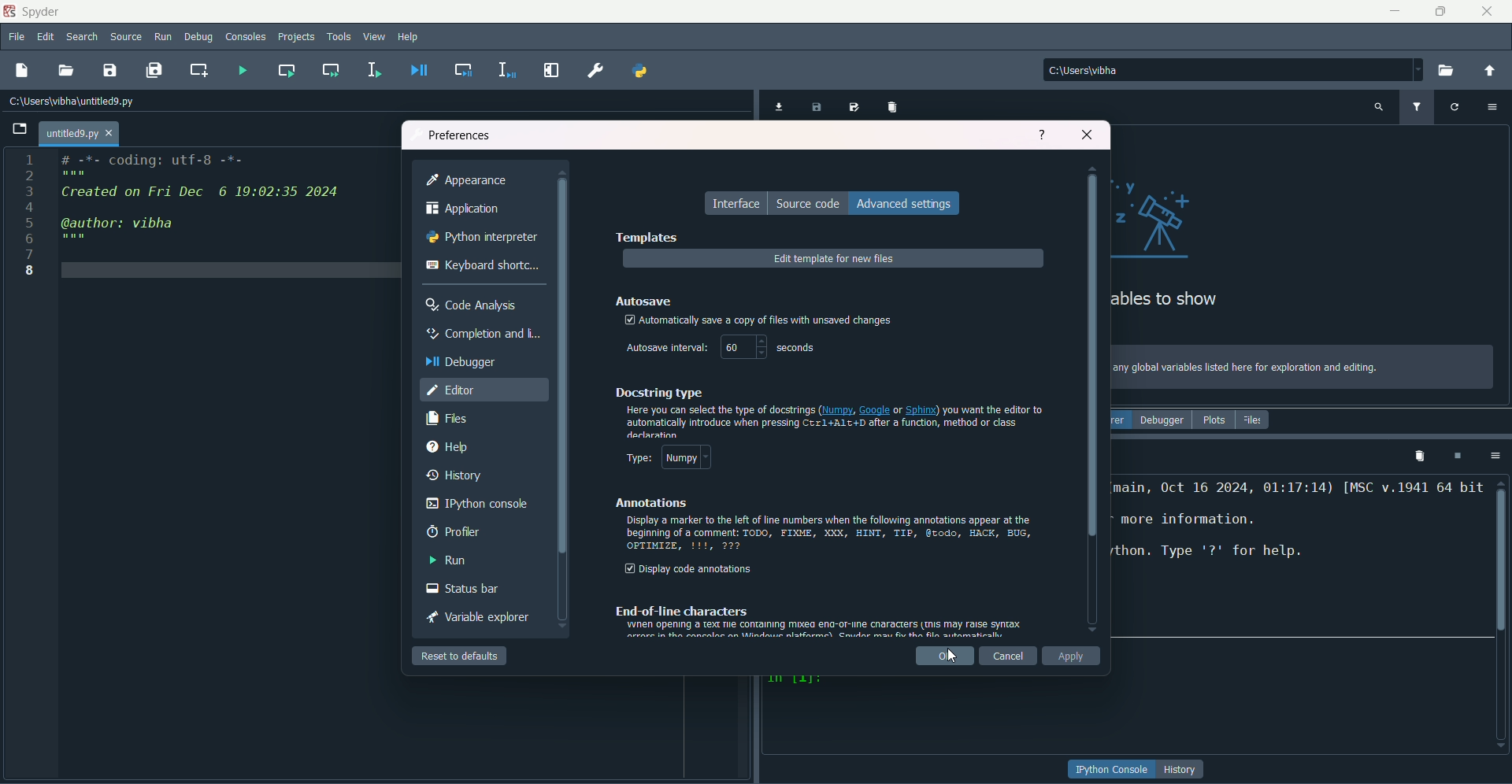 This screenshot has height=784, width=1512. Describe the element at coordinates (1247, 368) in the screenshot. I see `text` at that location.